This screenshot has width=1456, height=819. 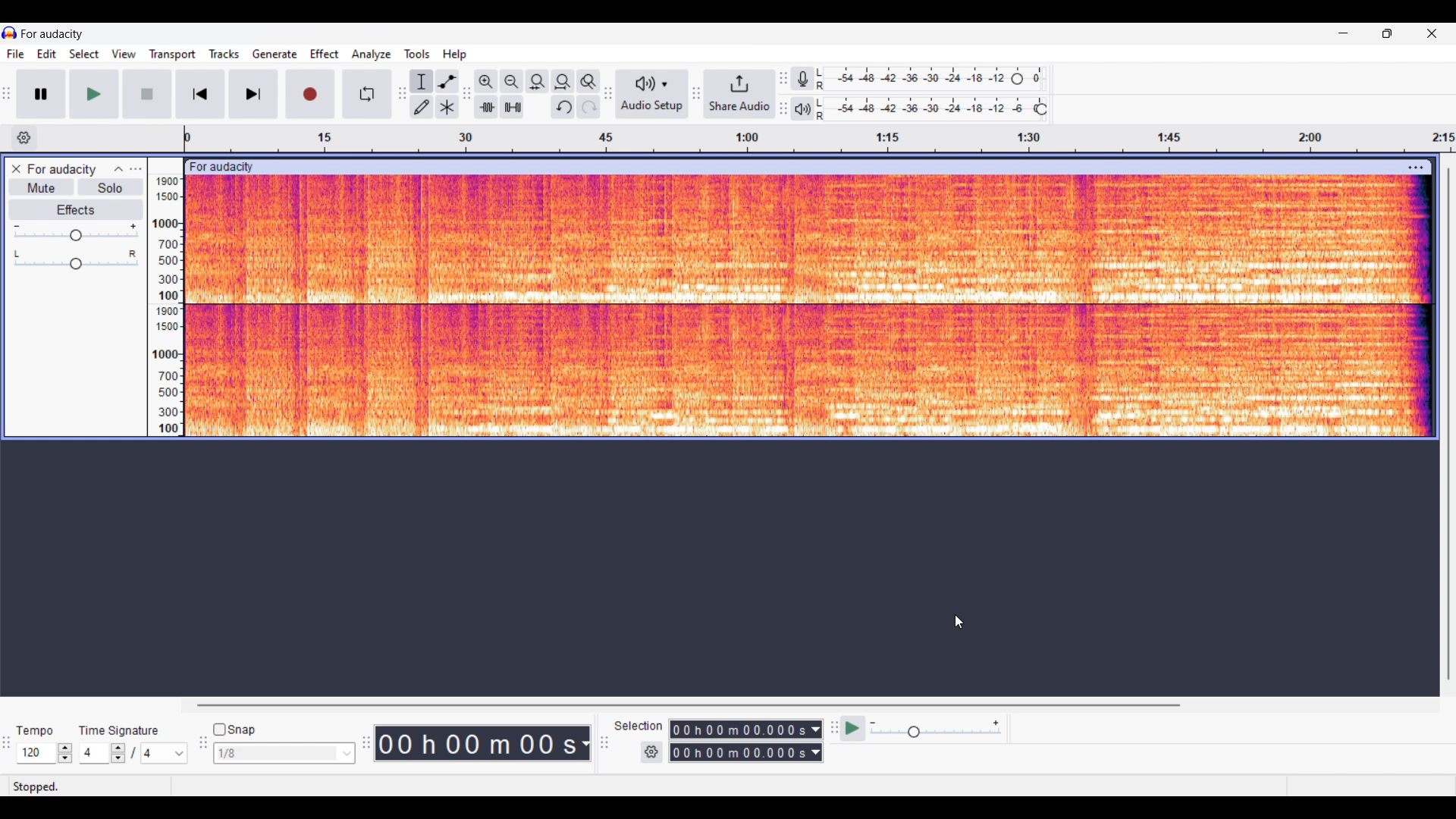 I want to click on Effect menu, so click(x=325, y=54).